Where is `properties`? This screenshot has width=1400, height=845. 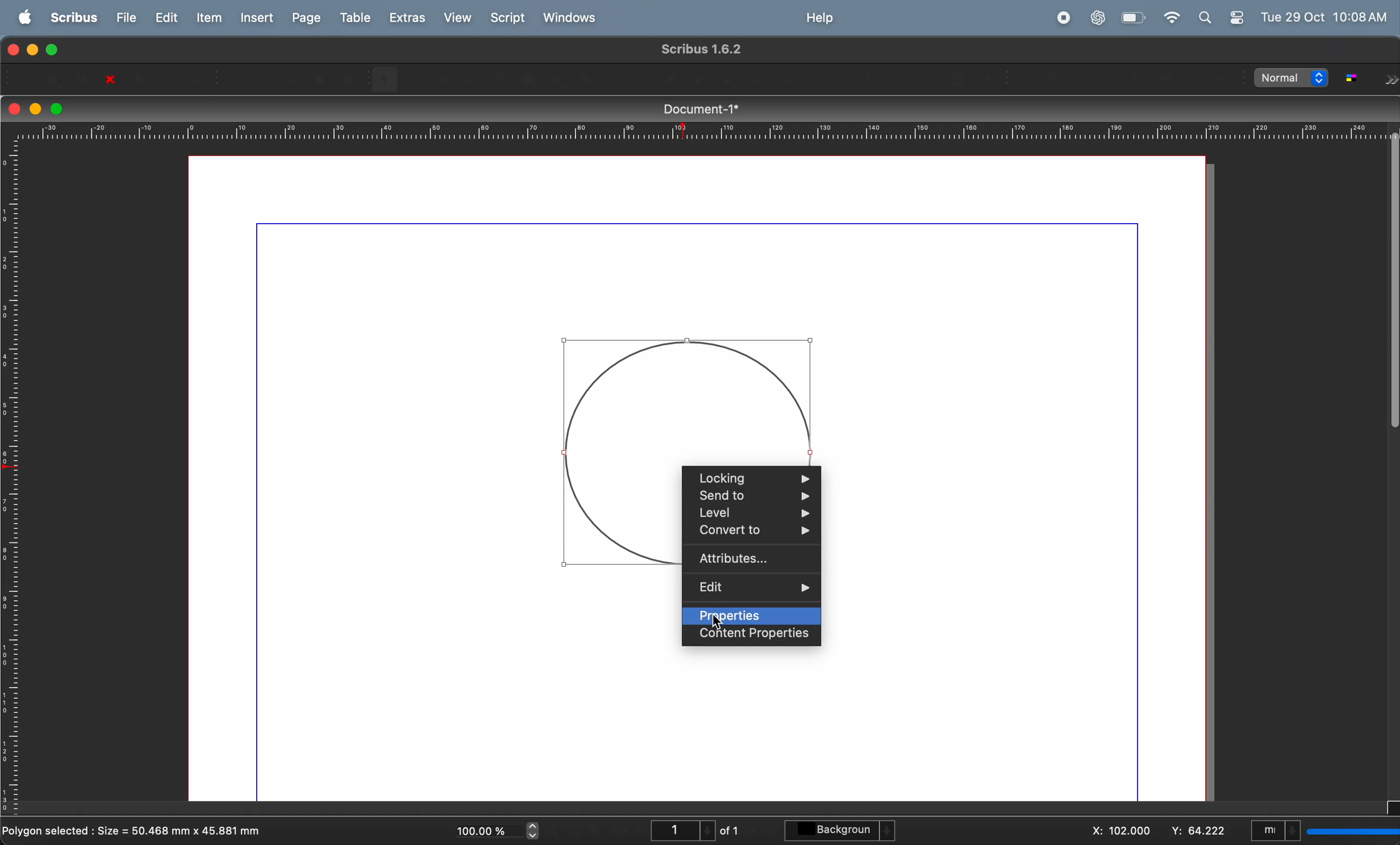
properties is located at coordinates (750, 616).